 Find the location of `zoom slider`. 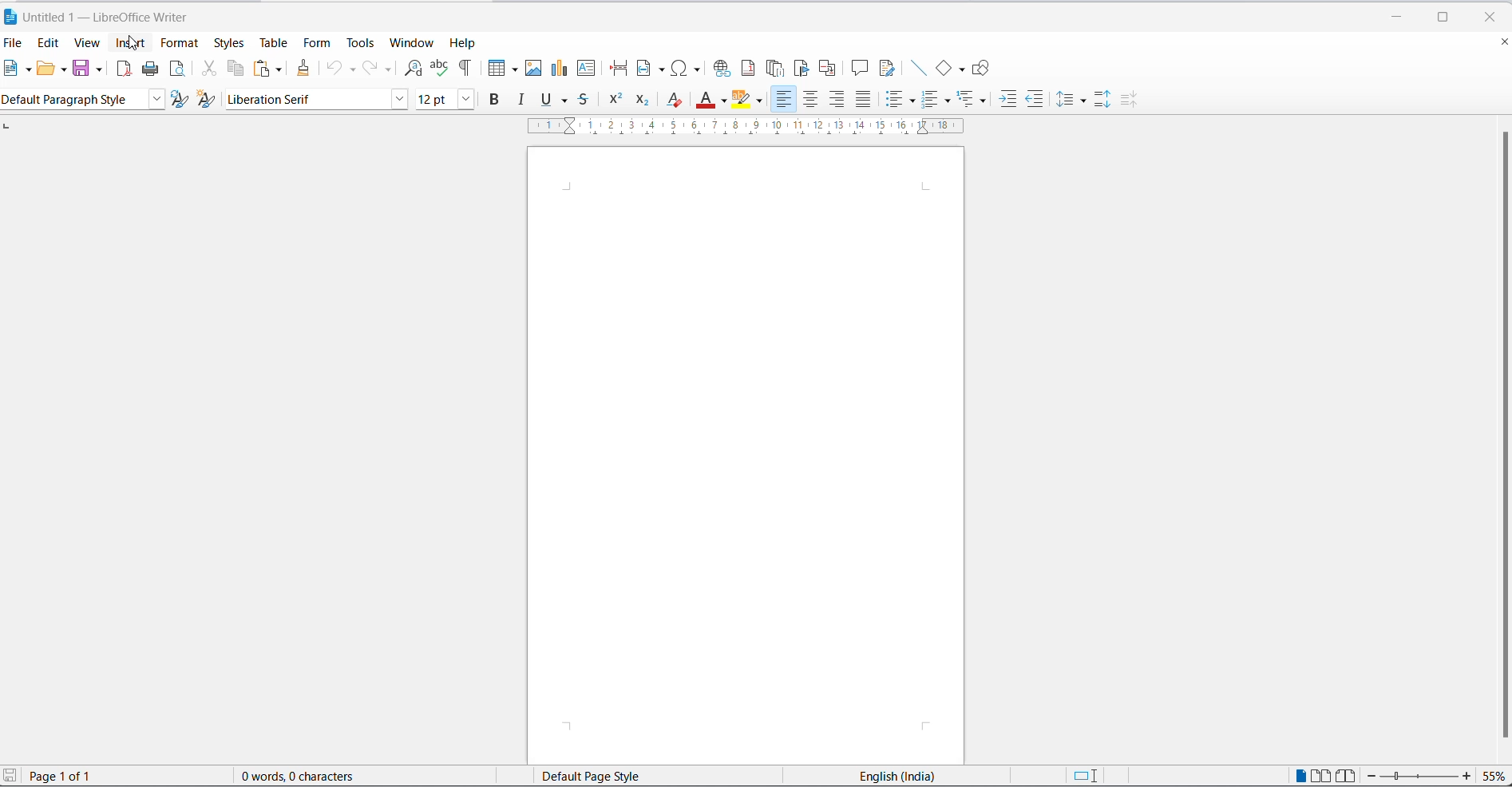

zoom slider is located at coordinates (1421, 777).